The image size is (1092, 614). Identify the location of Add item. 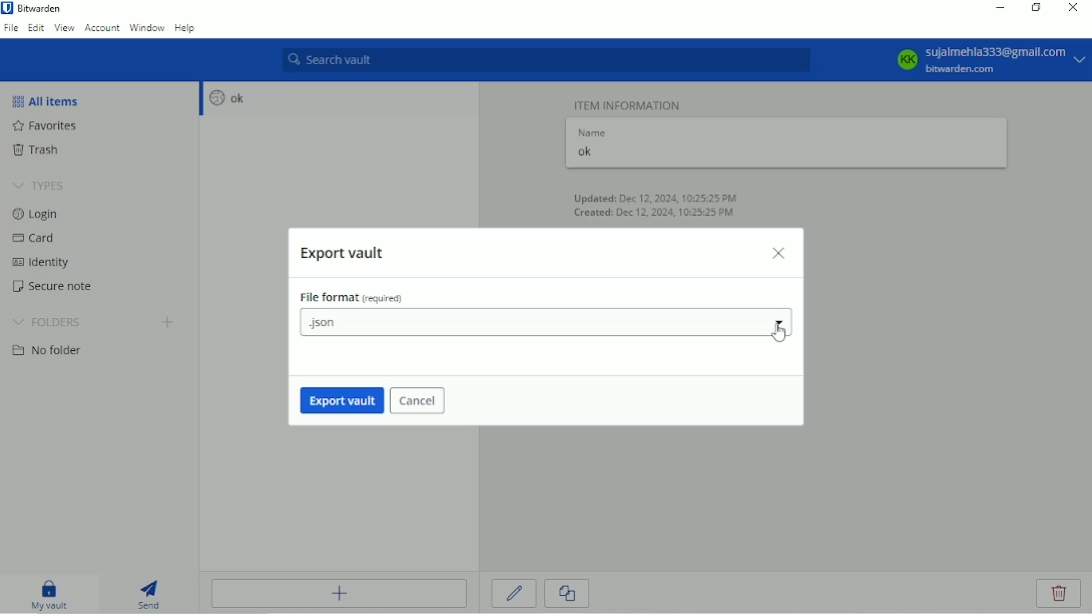
(339, 593).